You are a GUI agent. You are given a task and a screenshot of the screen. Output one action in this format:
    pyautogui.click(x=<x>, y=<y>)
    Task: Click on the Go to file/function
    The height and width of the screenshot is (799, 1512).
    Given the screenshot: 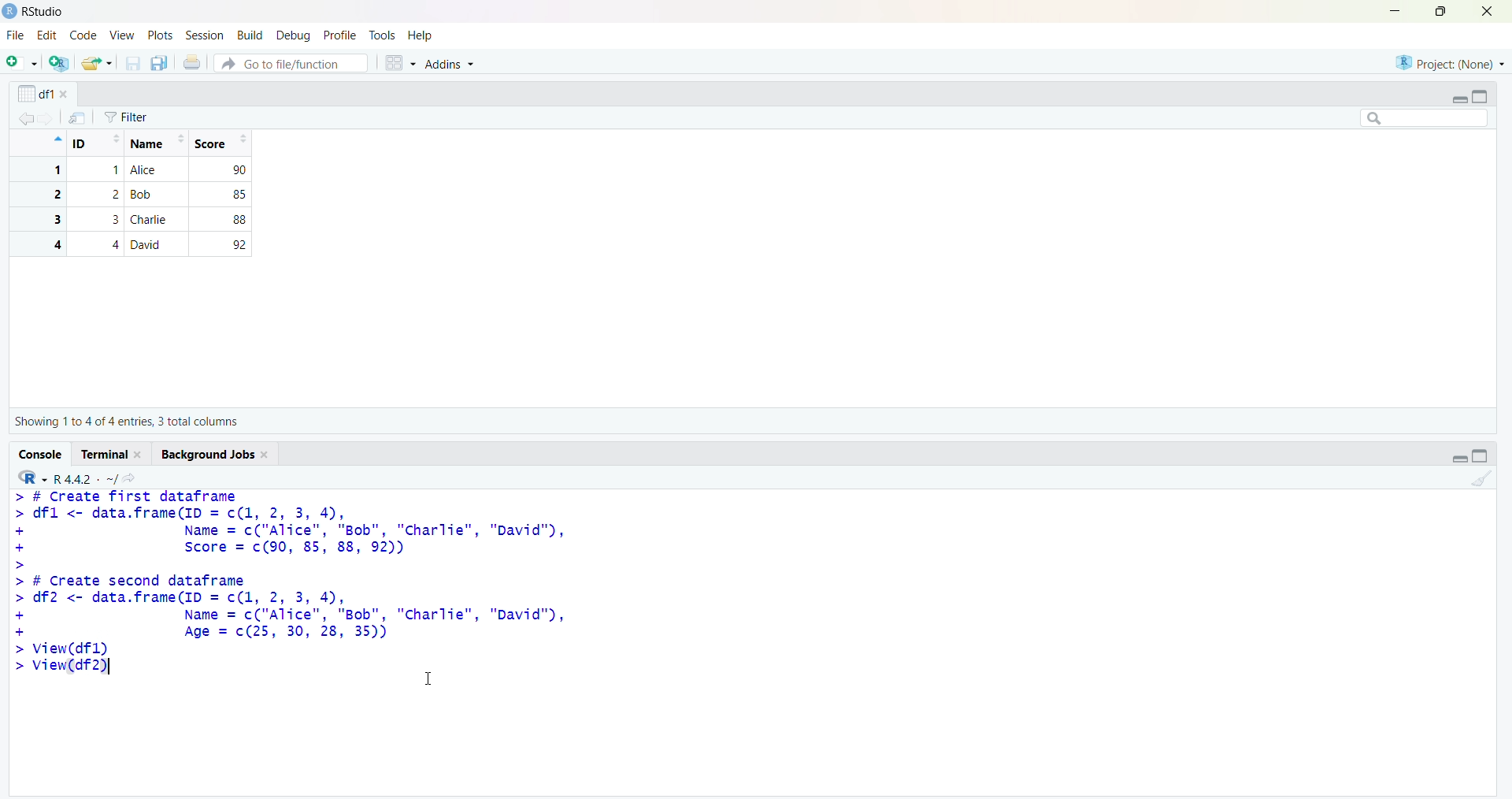 What is the action you would take?
    pyautogui.click(x=291, y=63)
    